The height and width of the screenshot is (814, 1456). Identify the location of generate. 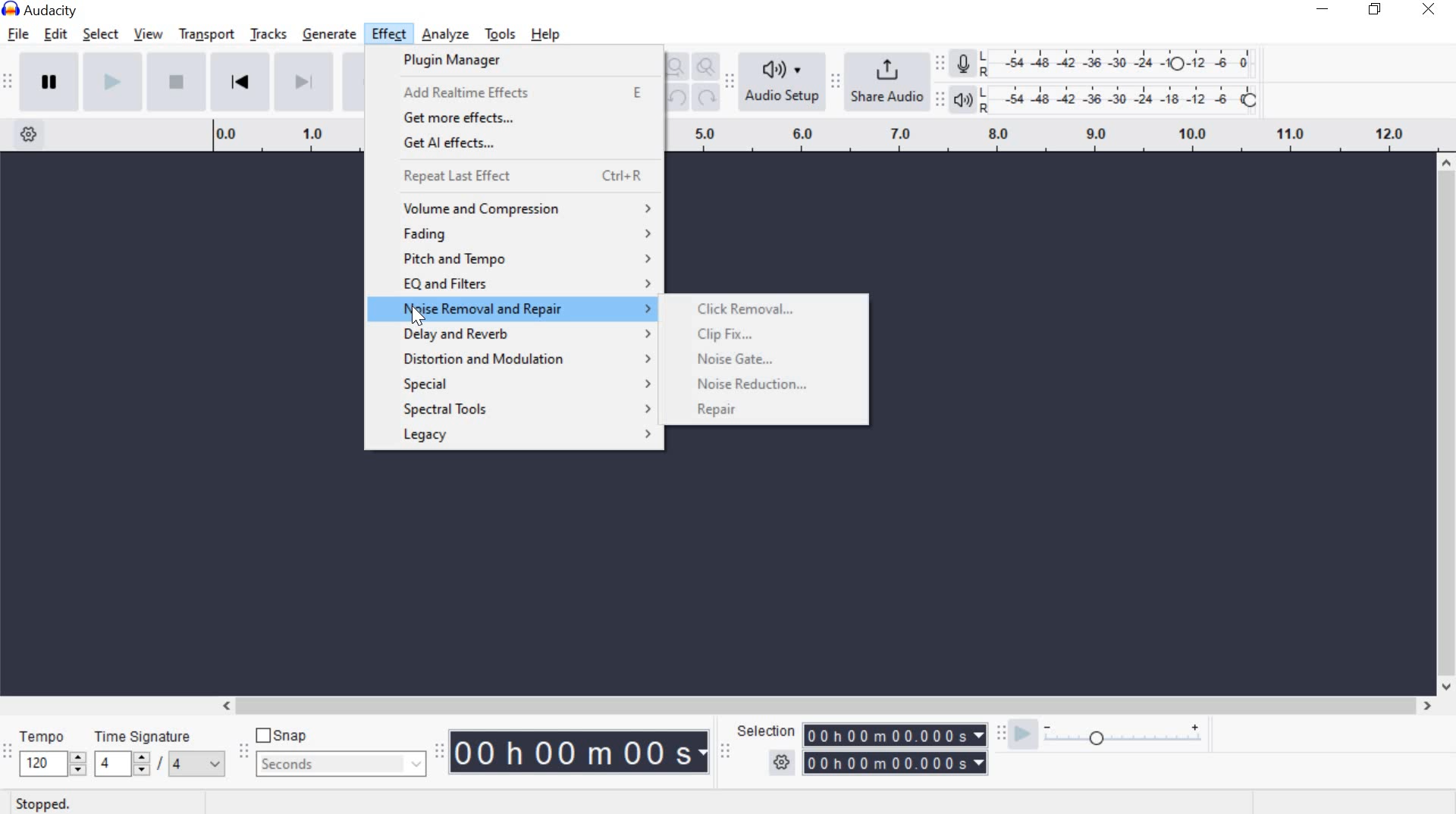
(326, 36).